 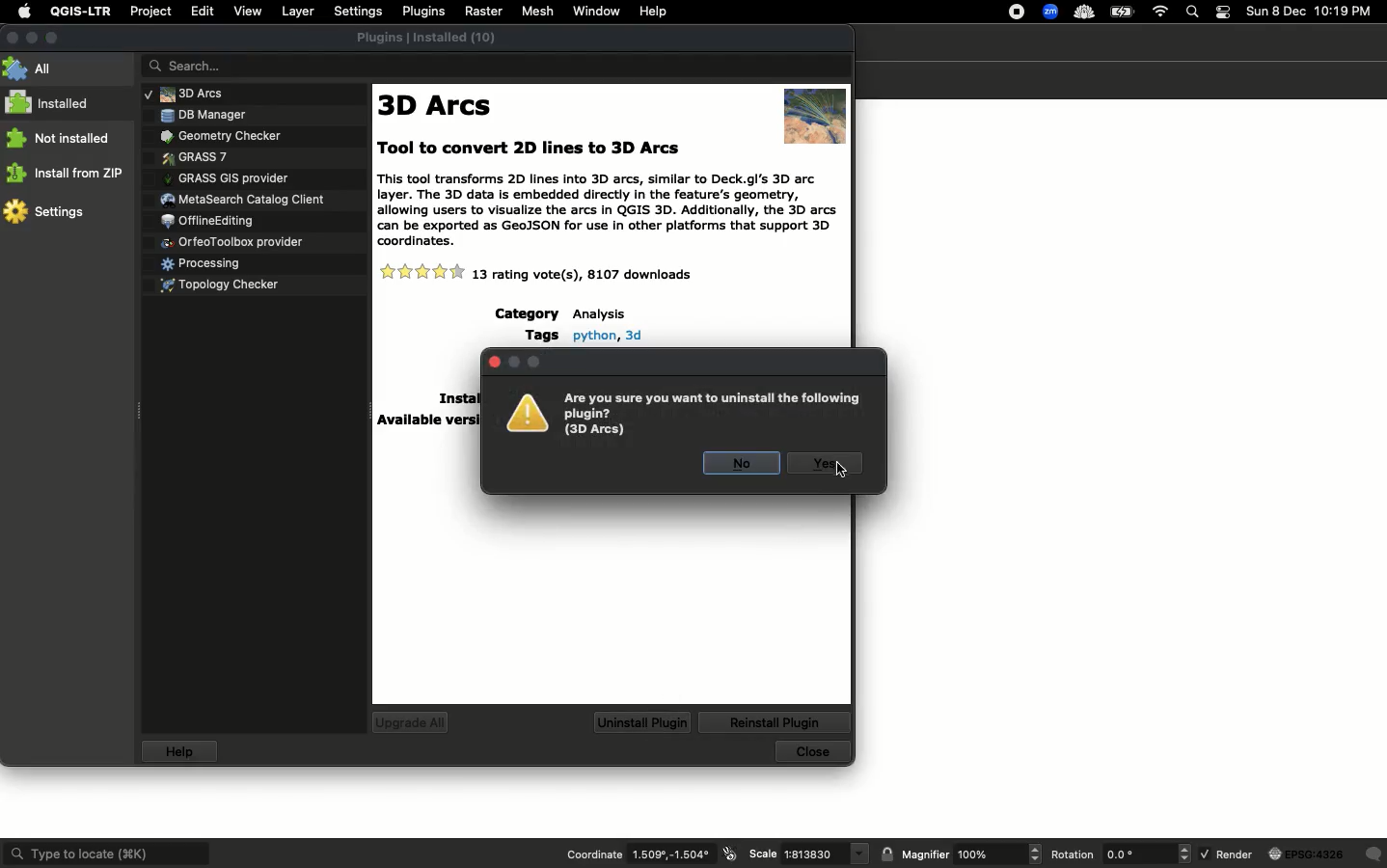 What do you see at coordinates (430, 36) in the screenshot?
I see `Plugins installed` at bounding box center [430, 36].